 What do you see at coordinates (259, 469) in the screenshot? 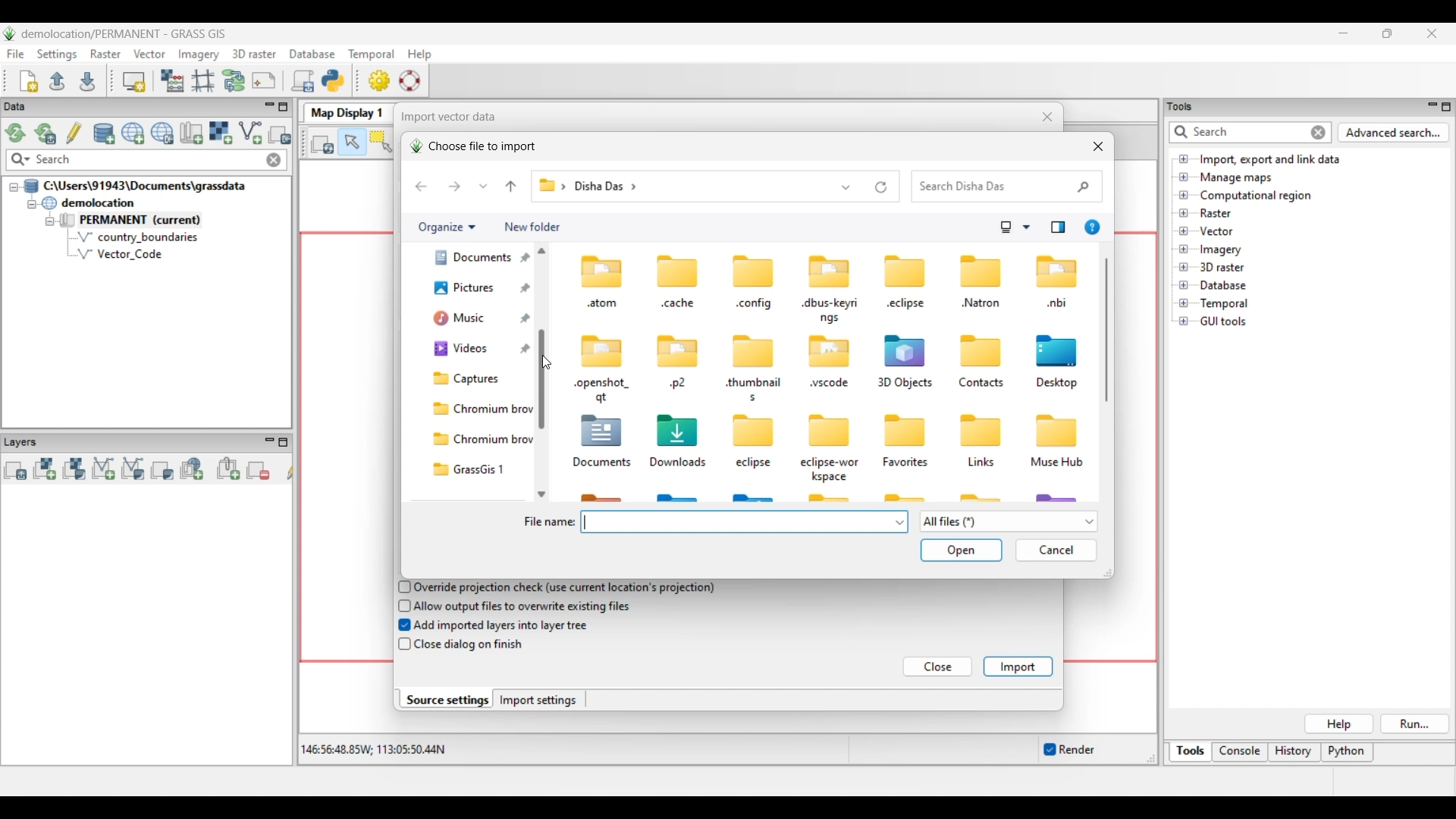
I see `Remove selected map layer(s) from layer tree` at bounding box center [259, 469].